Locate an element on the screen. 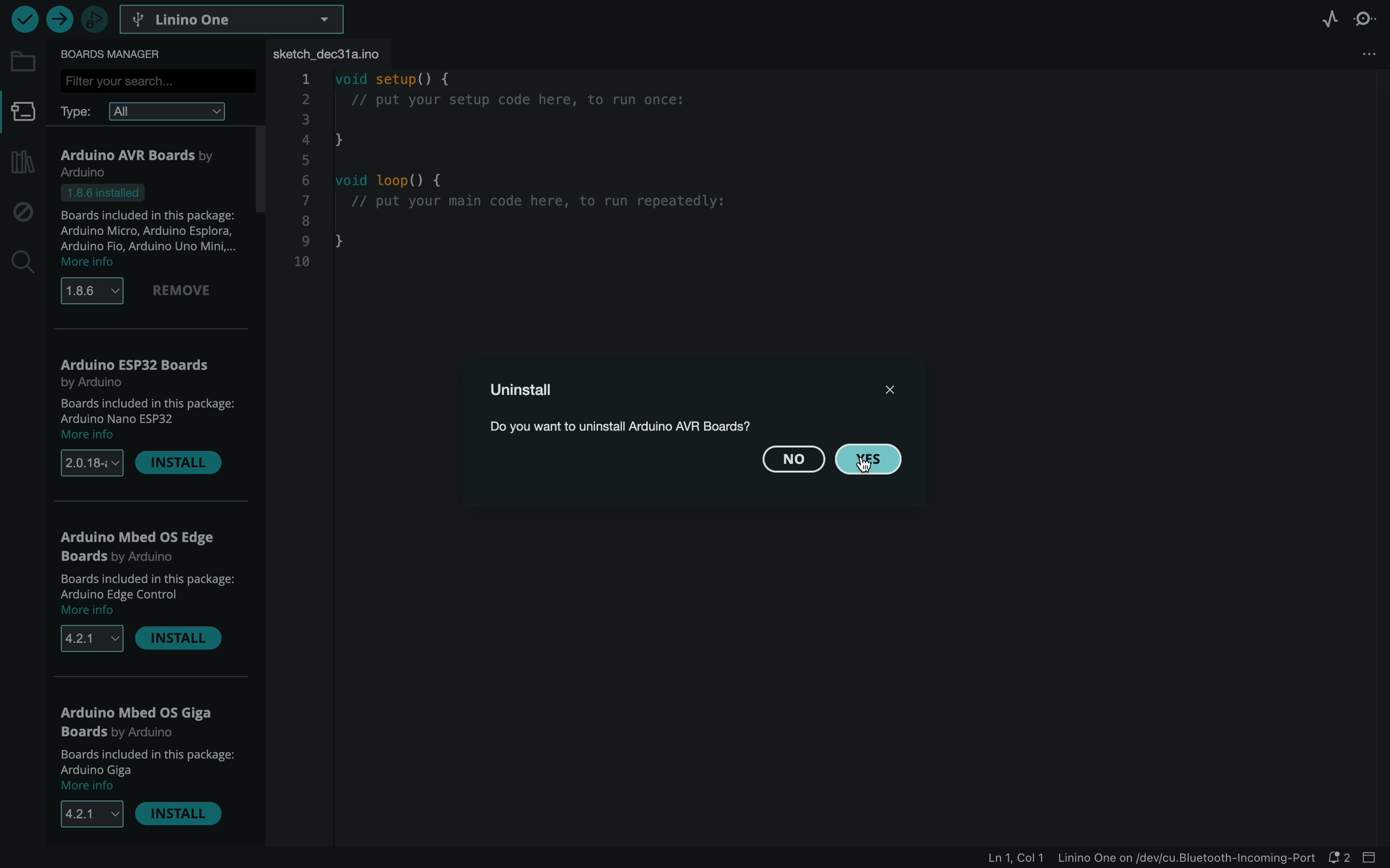 This screenshot has width=1390, height=868. question is located at coordinates (679, 427).